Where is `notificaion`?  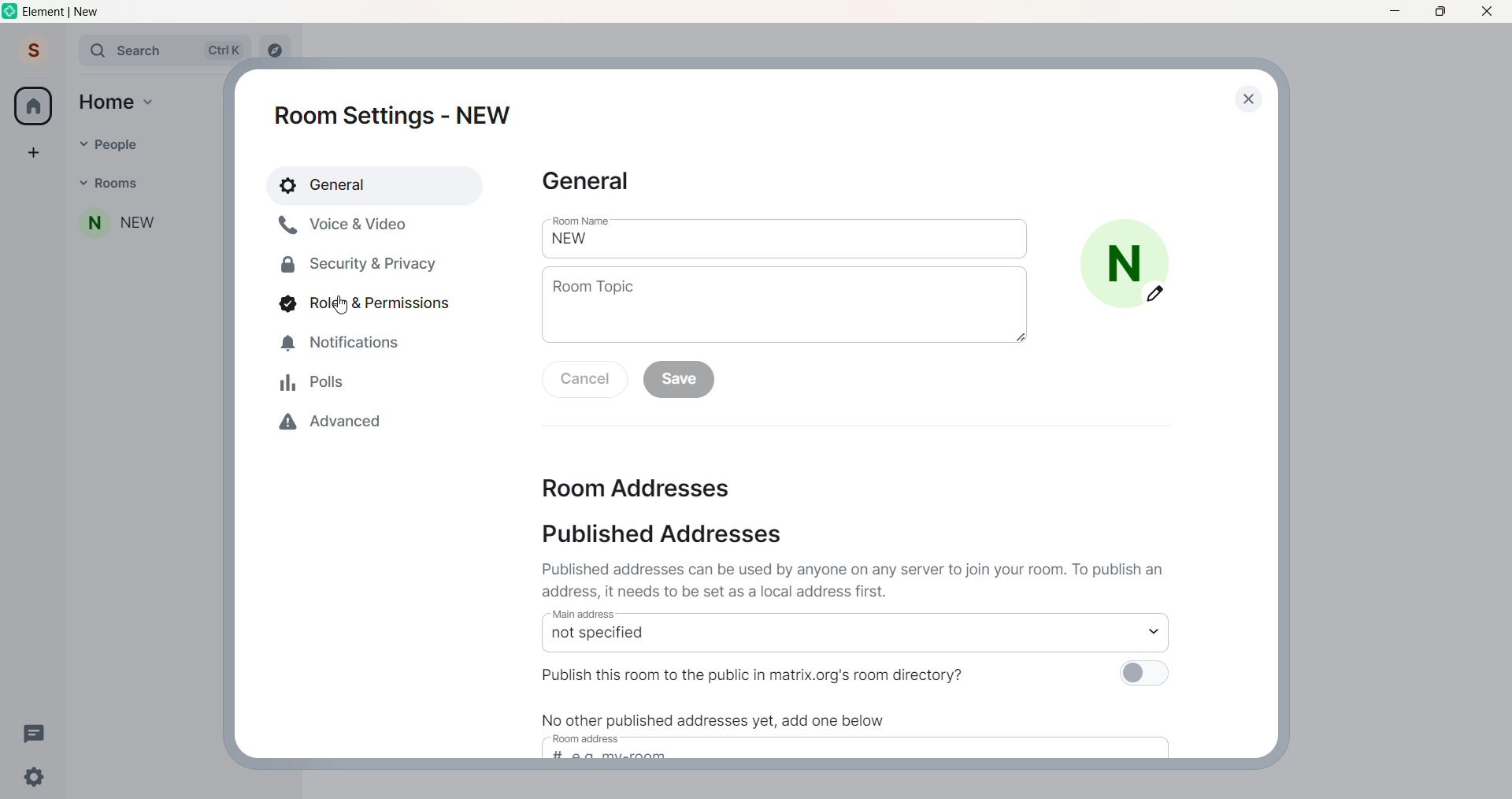 notificaion is located at coordinates (340, 347).